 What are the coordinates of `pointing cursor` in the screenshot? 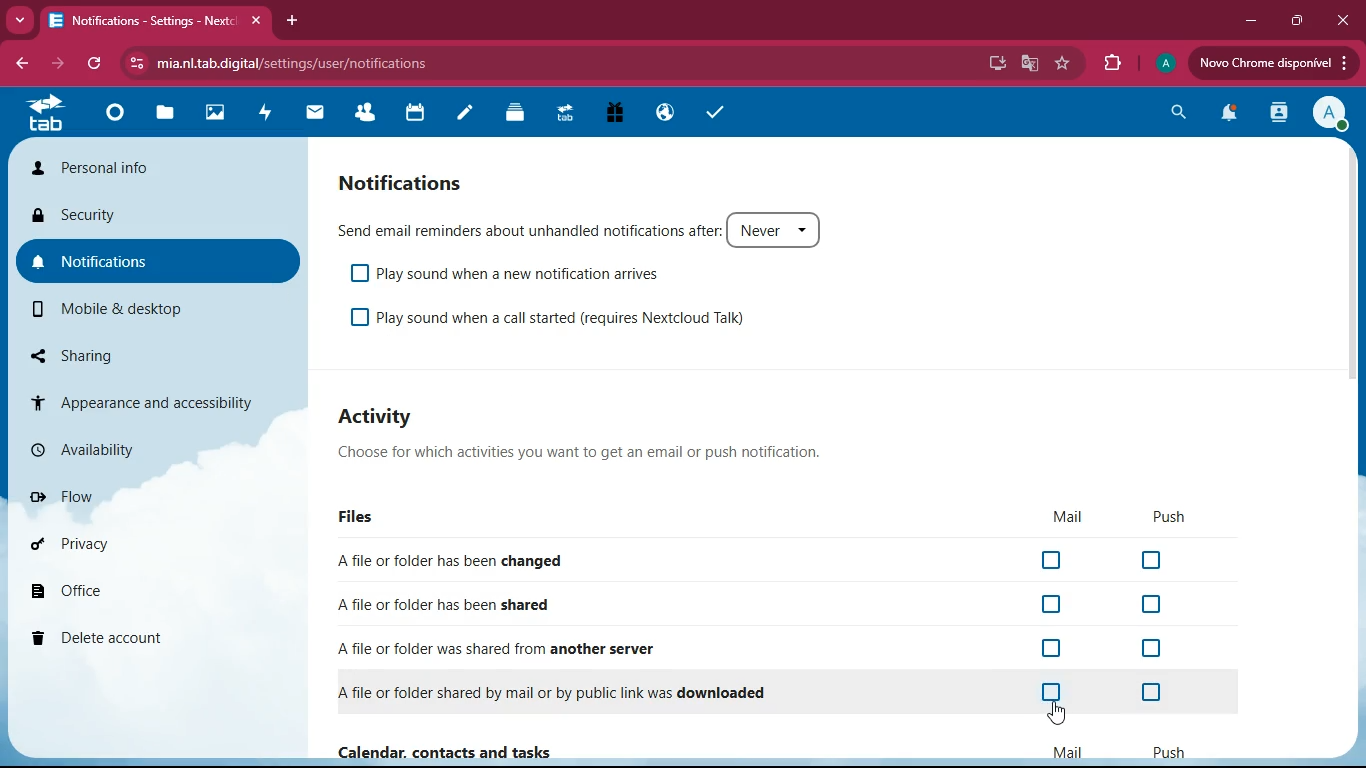 It's located at (1059, 714).